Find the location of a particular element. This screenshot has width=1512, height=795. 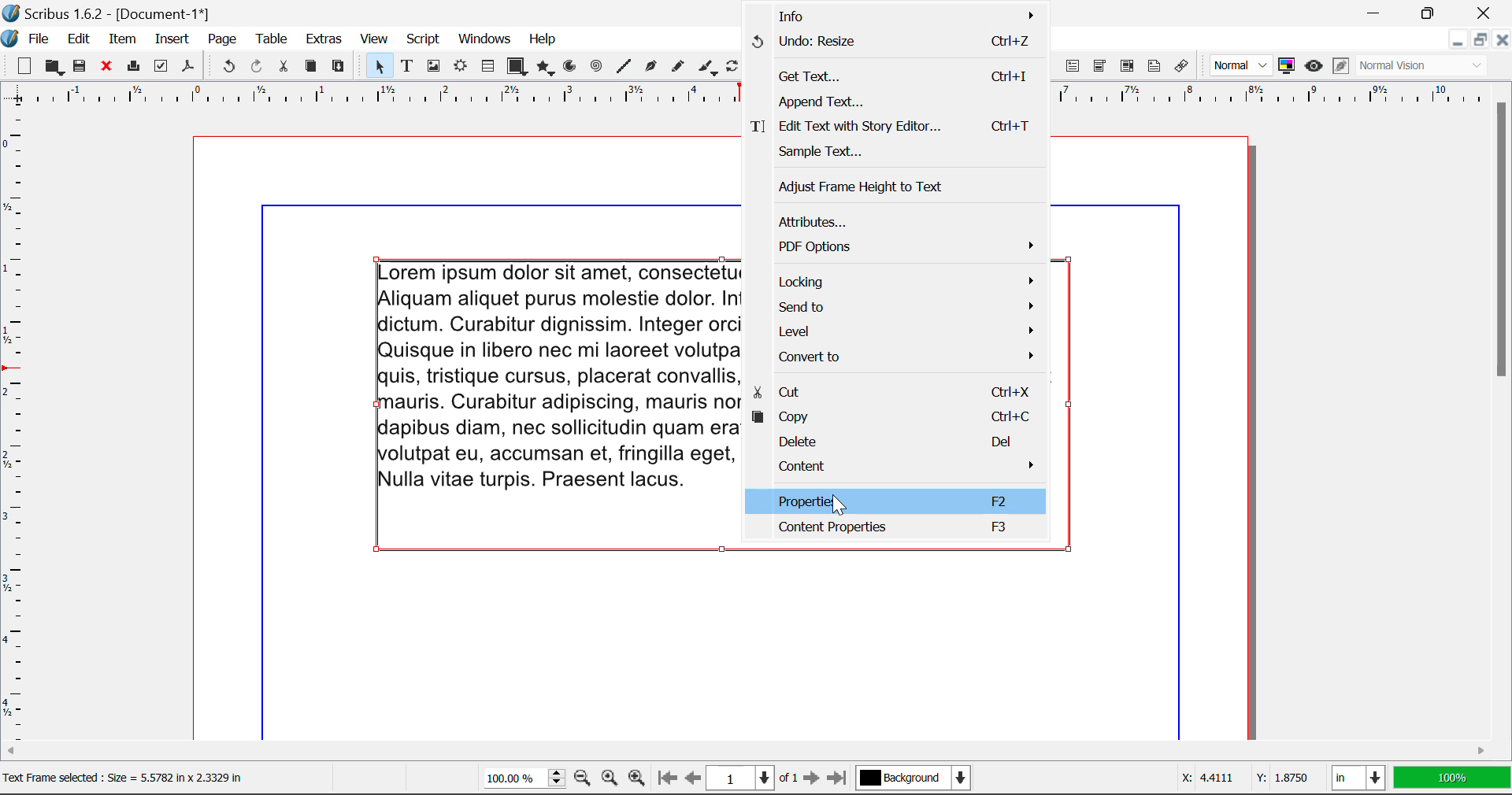

Line is located at coordinates (624, 67).